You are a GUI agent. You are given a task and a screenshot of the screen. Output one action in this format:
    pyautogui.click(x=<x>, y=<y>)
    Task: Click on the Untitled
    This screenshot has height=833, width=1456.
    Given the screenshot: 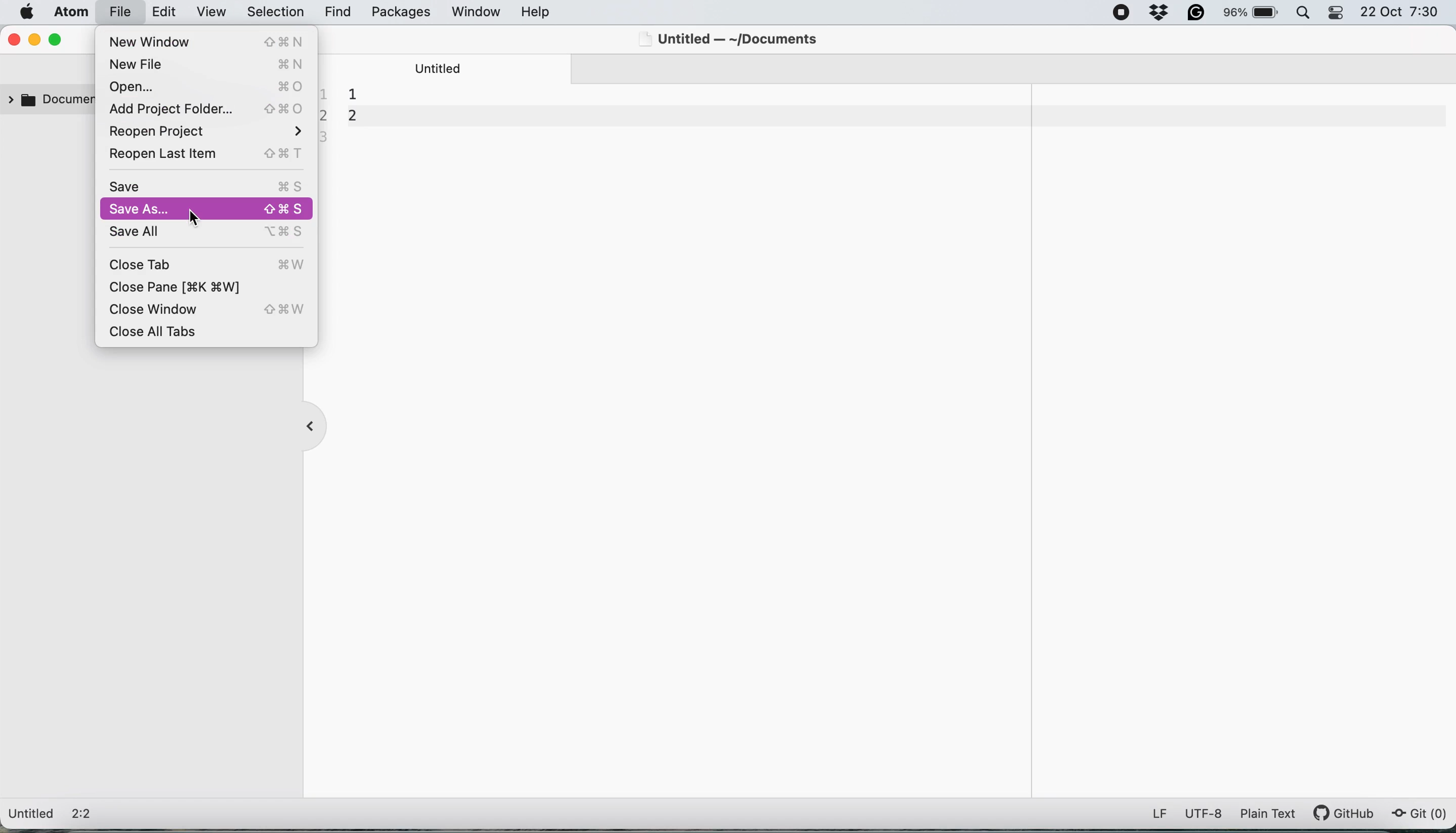 What is the action you would take?
    pyautogui.click(x=32, y=815)
    